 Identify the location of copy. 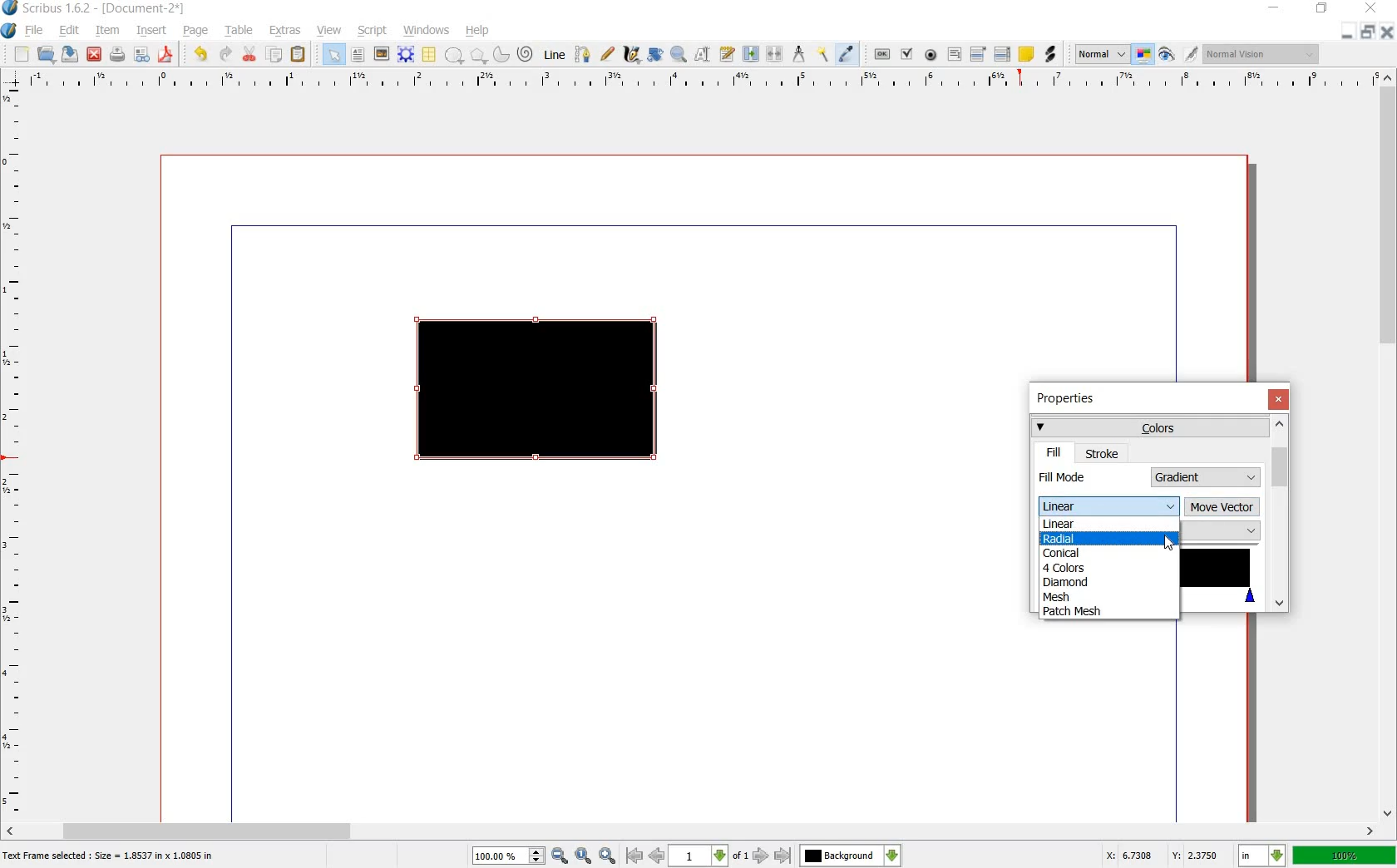
(275, 55).